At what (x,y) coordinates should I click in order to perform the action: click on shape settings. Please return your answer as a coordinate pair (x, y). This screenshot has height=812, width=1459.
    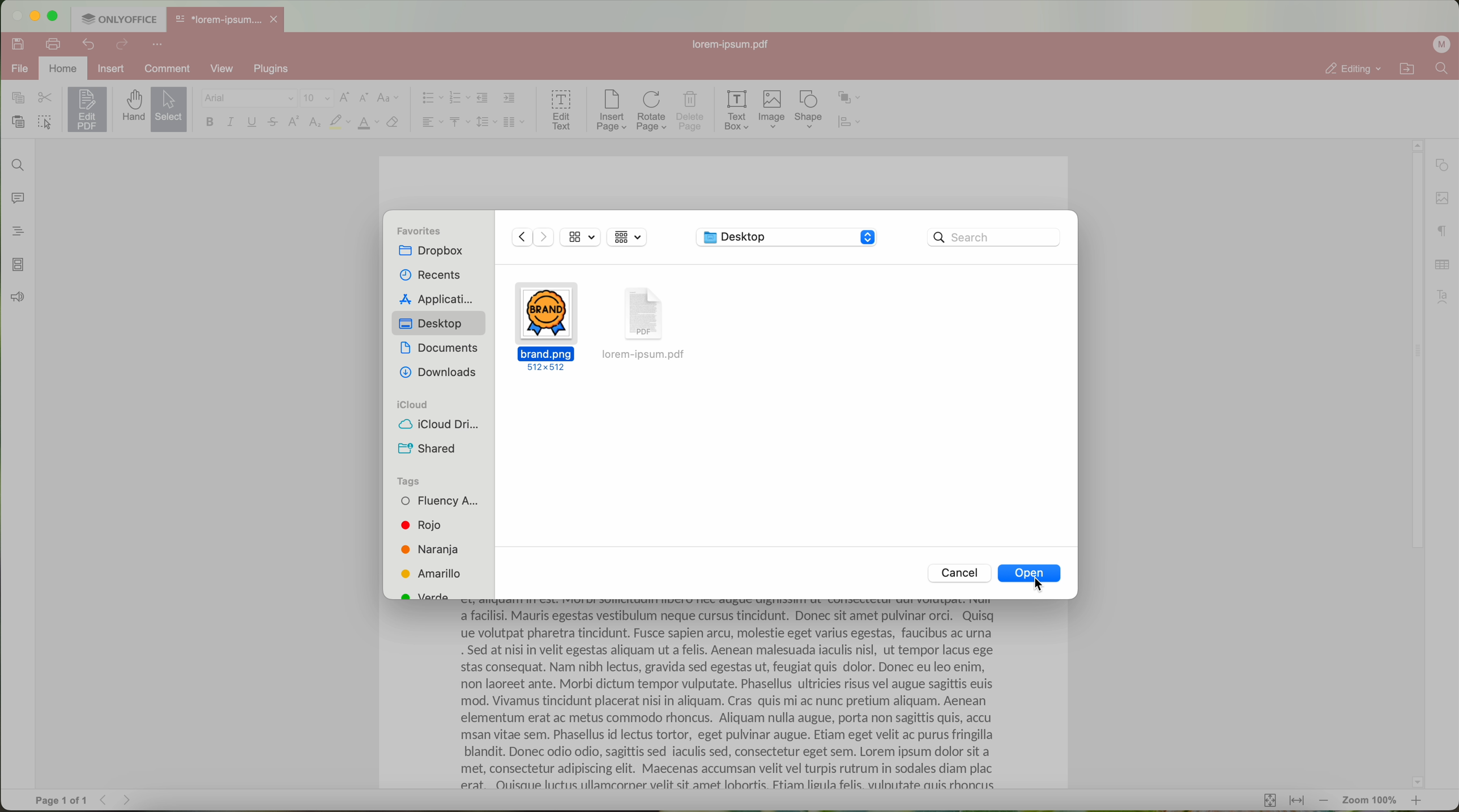
    Looking at the image, I should click on (1441, 165).